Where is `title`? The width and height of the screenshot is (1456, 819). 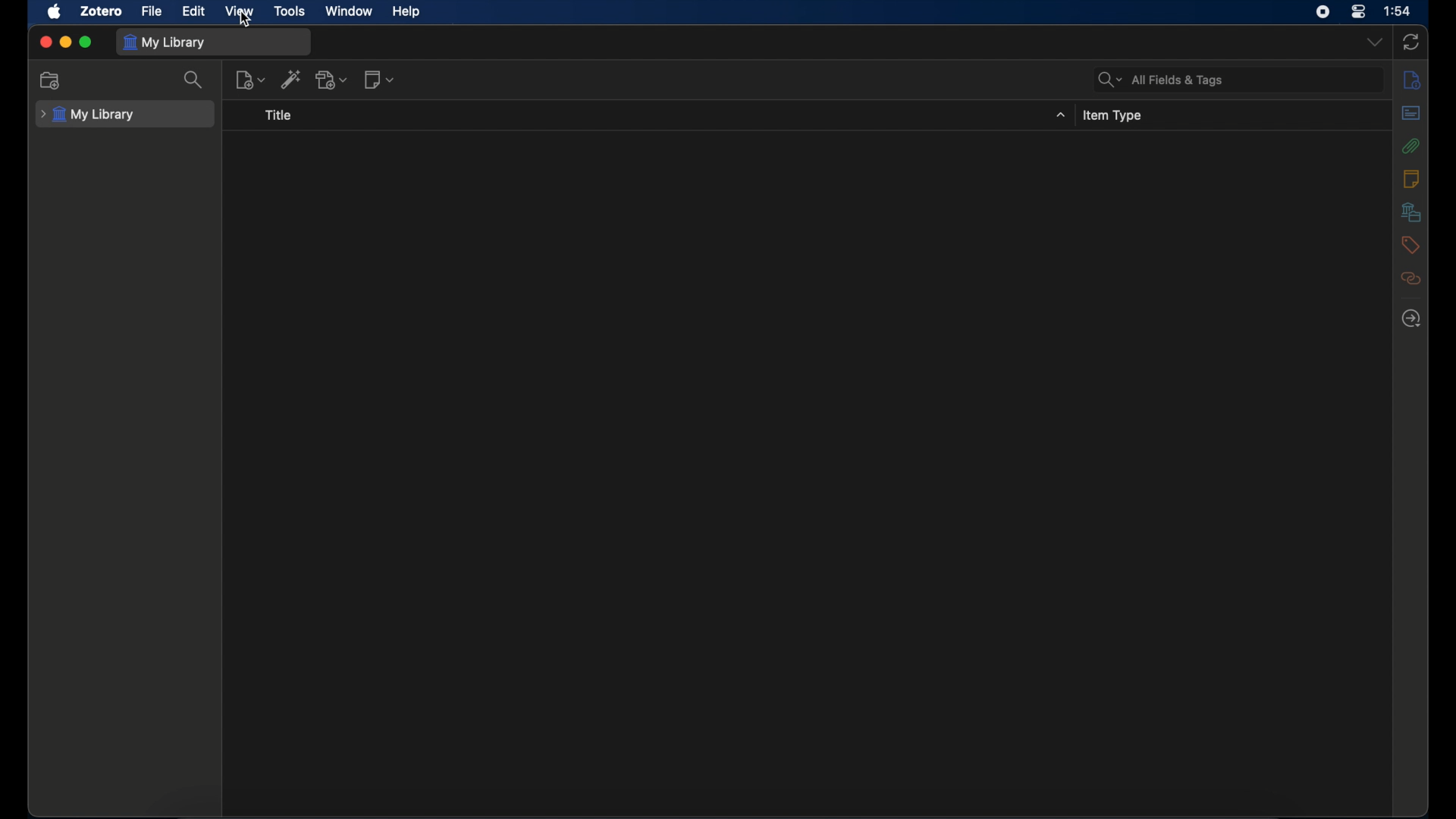 title is located at coordinates (279, 115).